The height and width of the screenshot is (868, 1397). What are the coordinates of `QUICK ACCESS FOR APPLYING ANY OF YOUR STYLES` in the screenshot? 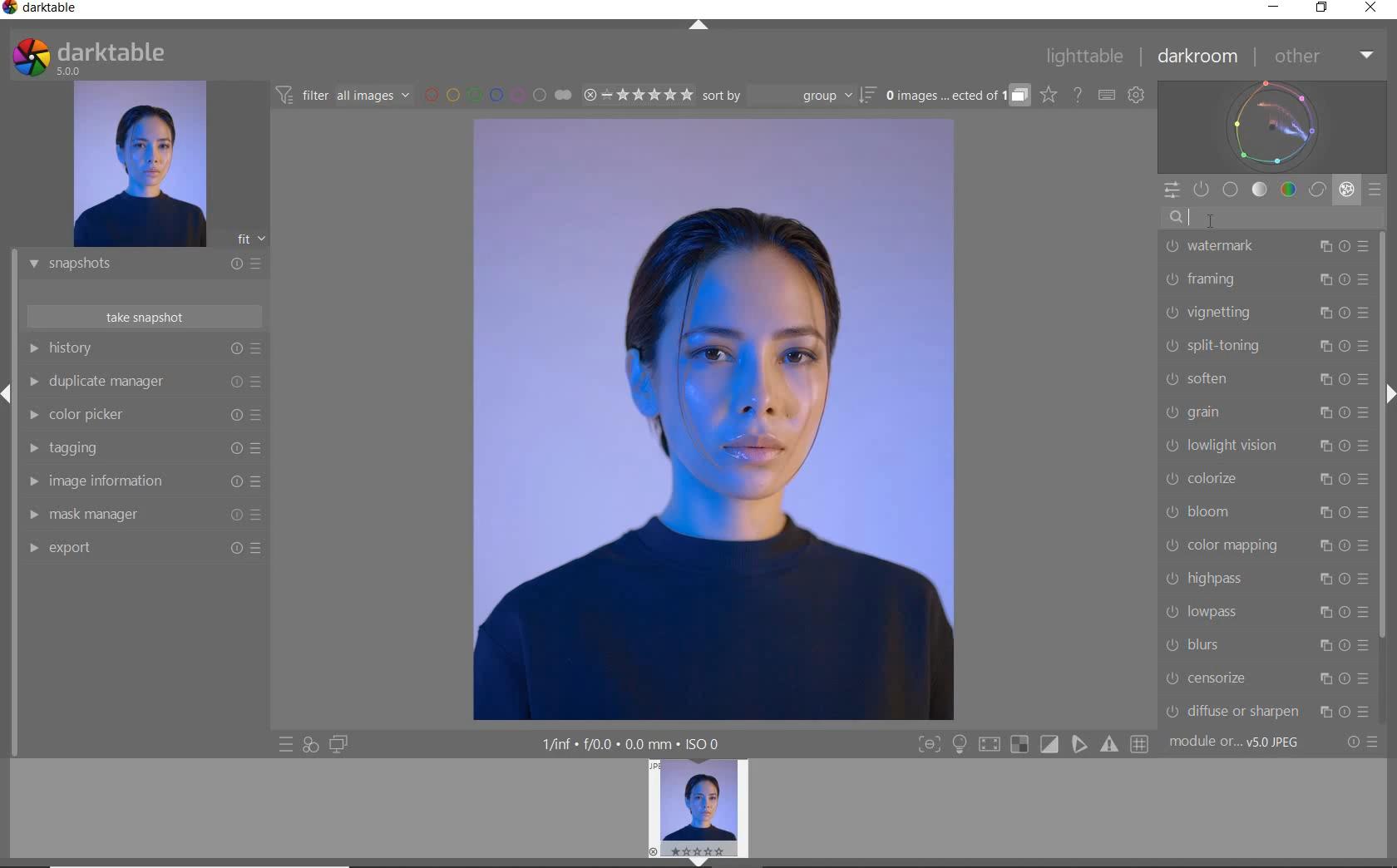 It's located at (309, 744).